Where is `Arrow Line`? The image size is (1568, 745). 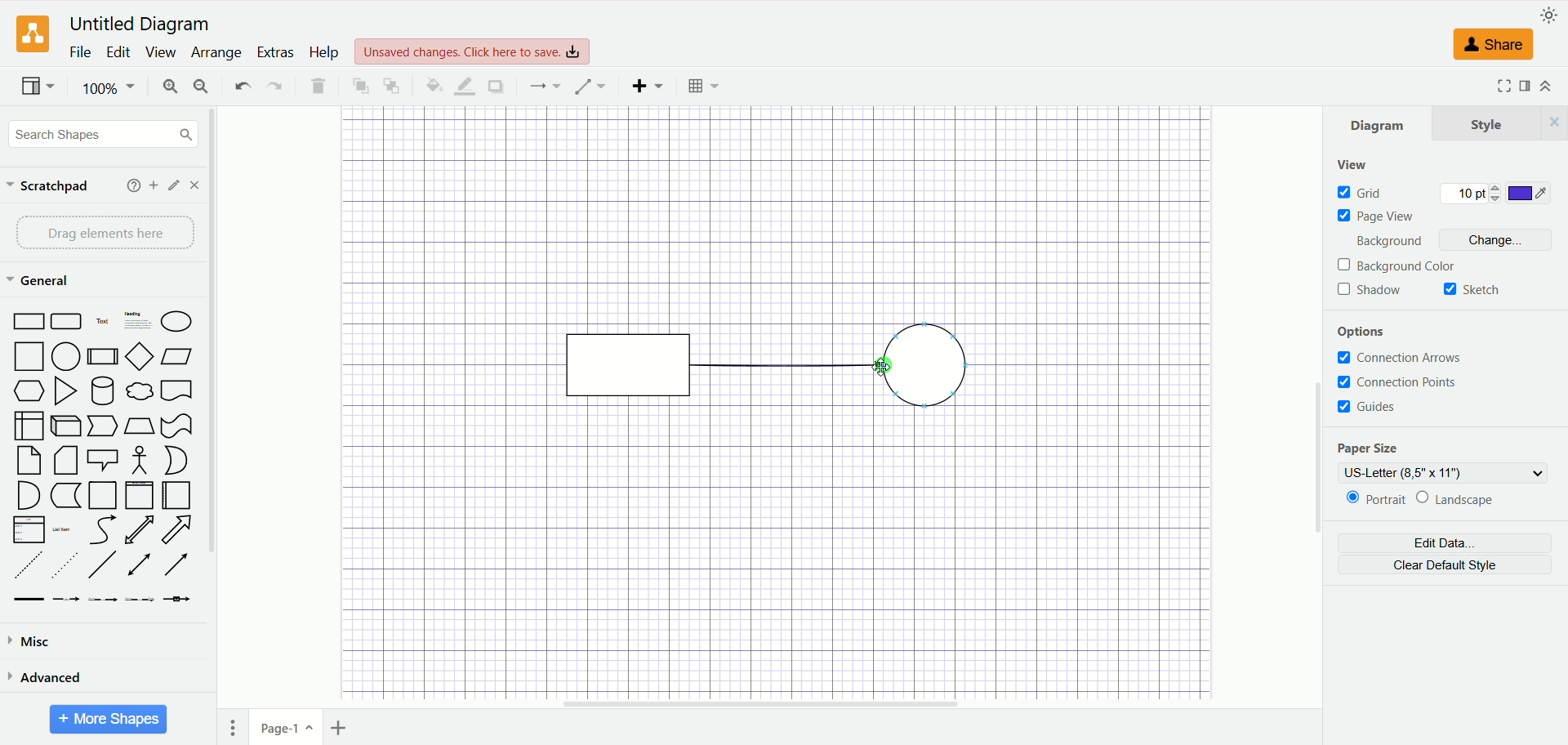 Arrow Line is located at coordinates (176, 567).